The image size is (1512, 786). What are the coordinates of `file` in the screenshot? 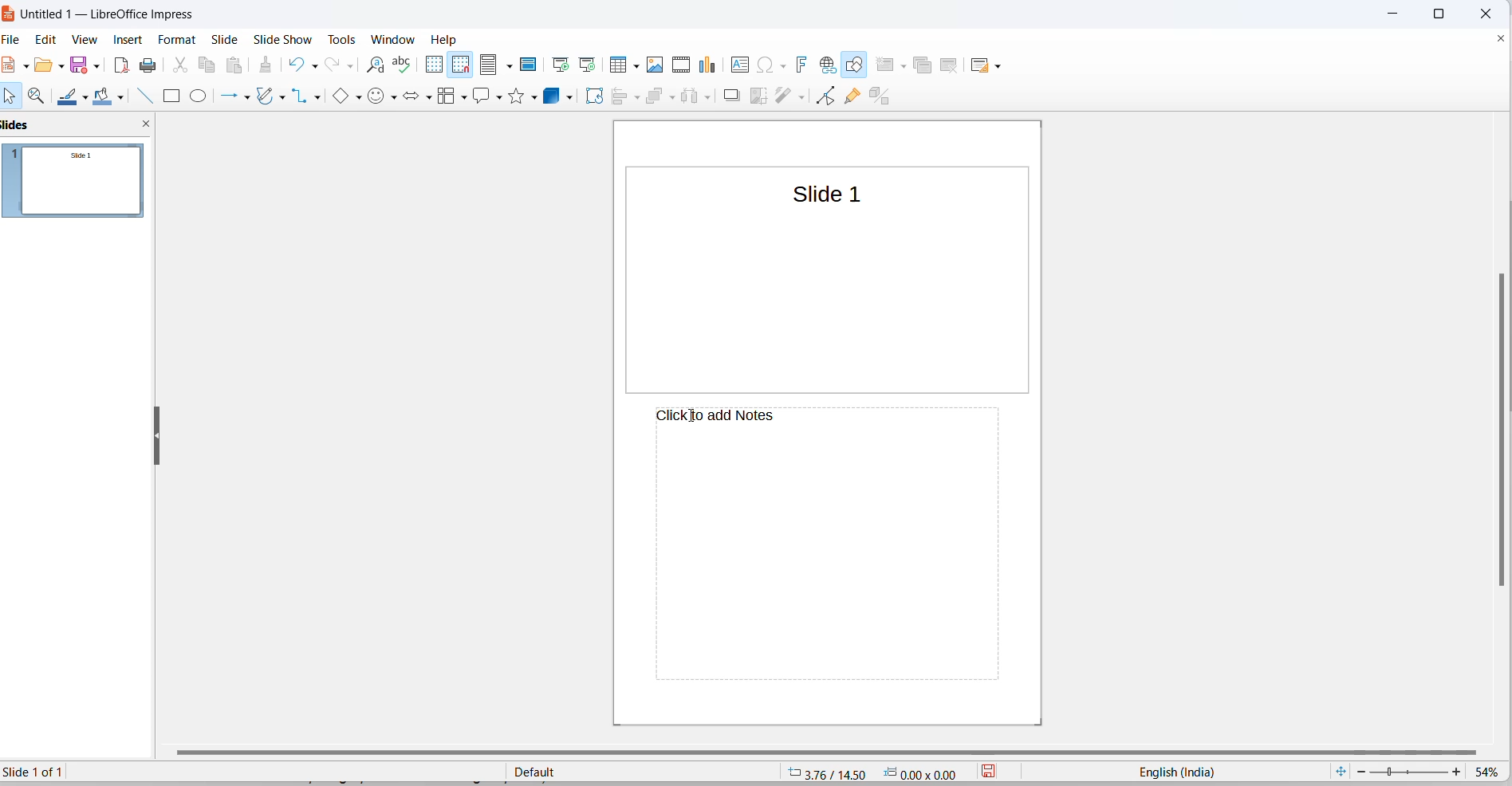 It's located at (16, 41).